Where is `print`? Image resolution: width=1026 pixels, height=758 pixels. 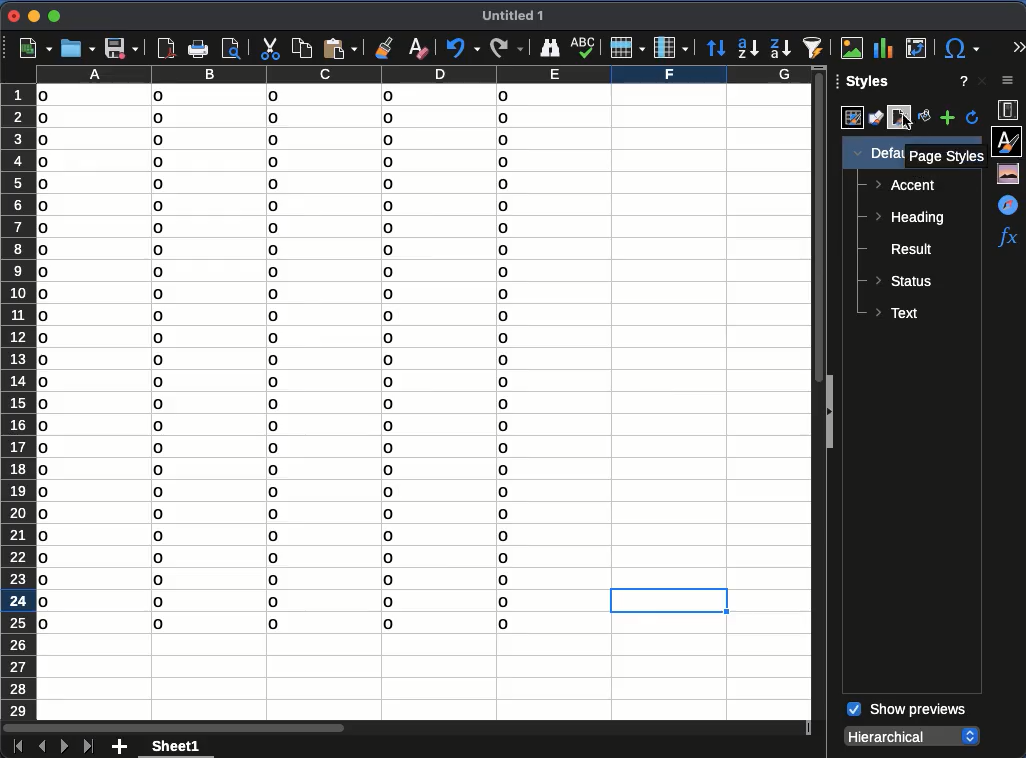
print is located at coordinates (198, 49).